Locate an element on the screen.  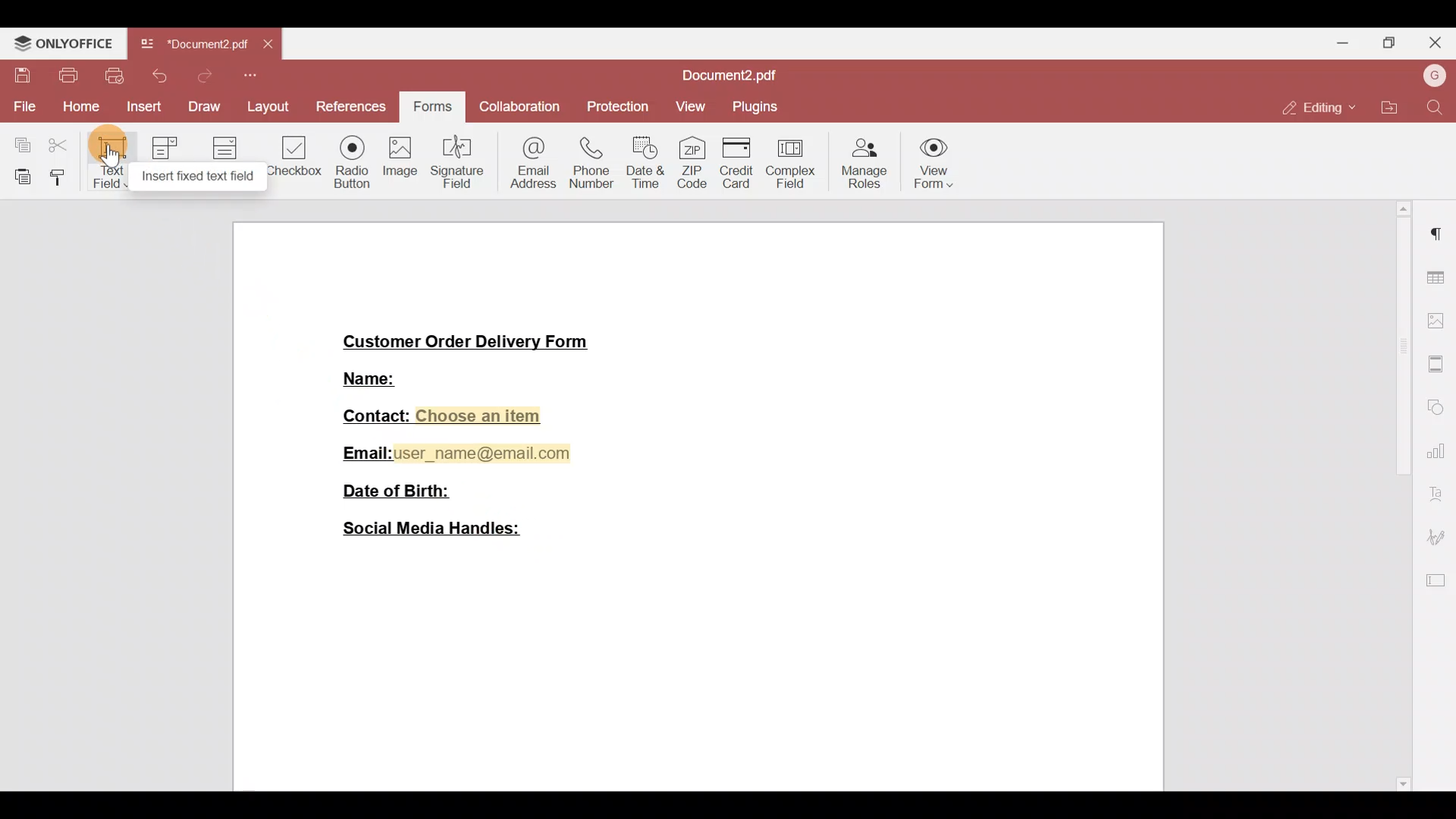
Working area is located at coordinates (702, 670).